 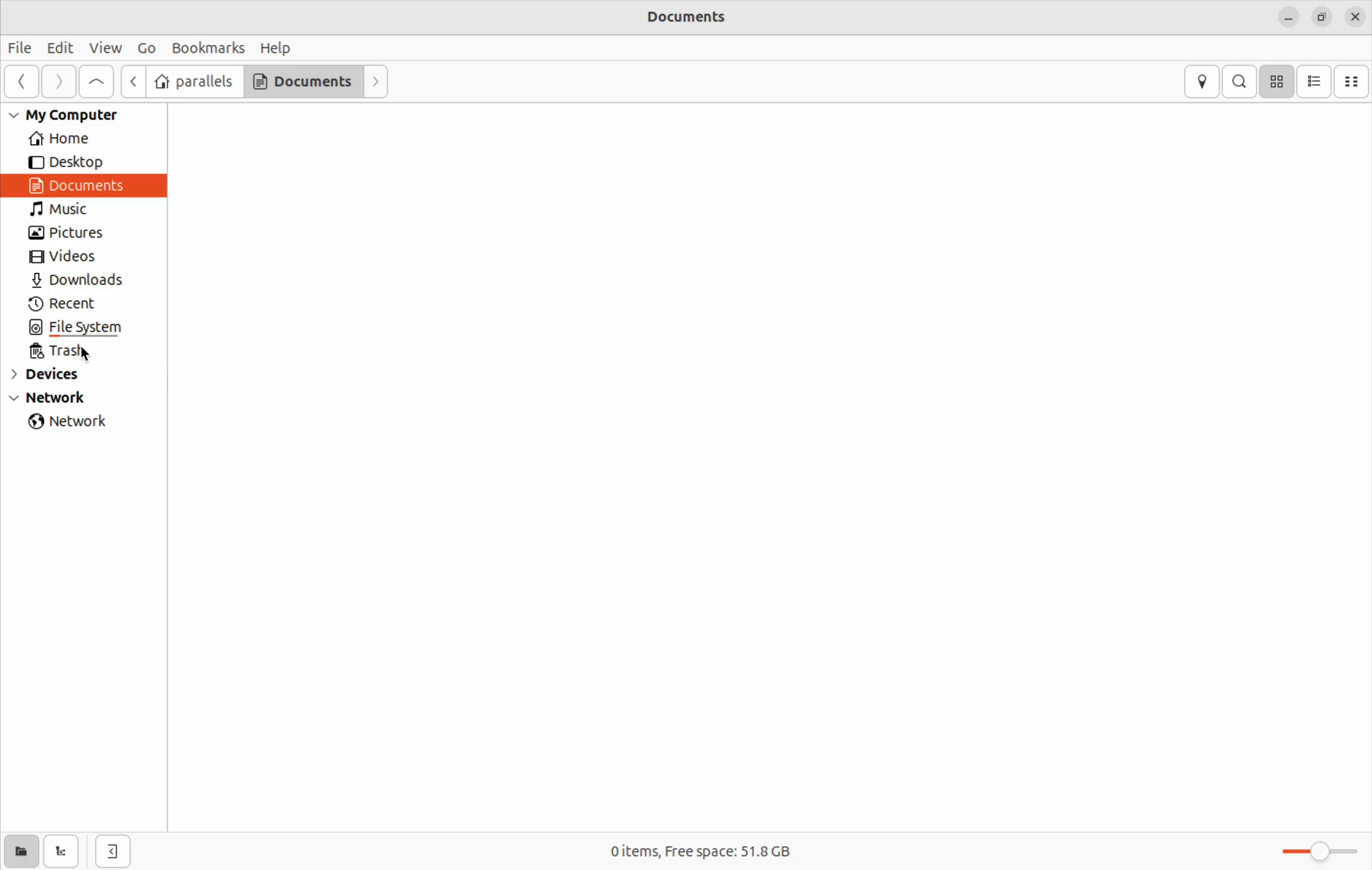 I want to click on Book marks, so click(x=208, y=46).